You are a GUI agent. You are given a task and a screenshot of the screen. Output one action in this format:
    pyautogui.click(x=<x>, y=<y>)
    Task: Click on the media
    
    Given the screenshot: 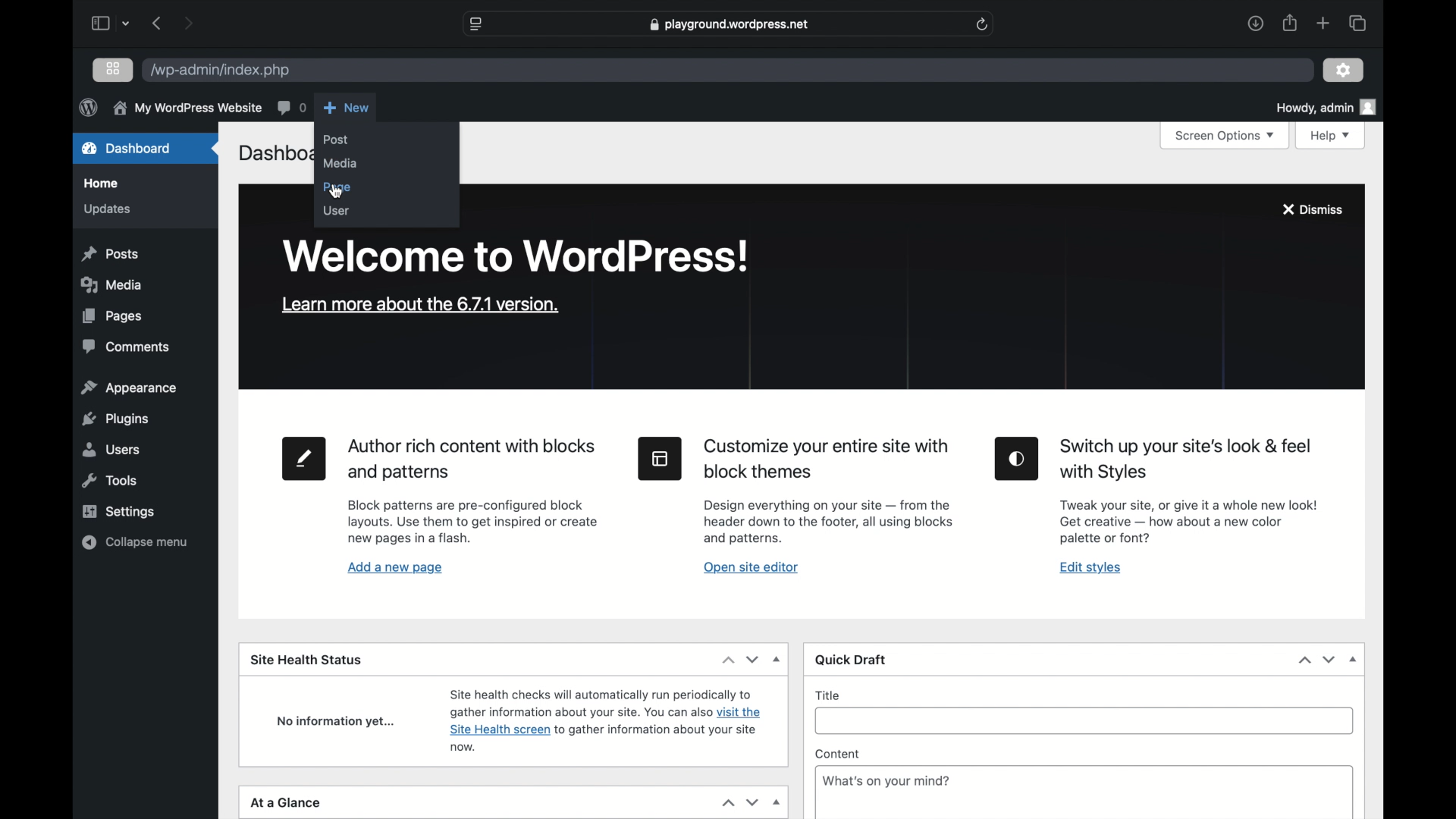 What is the action you would take?
    pyautogui.click(x=110, y=284)
    